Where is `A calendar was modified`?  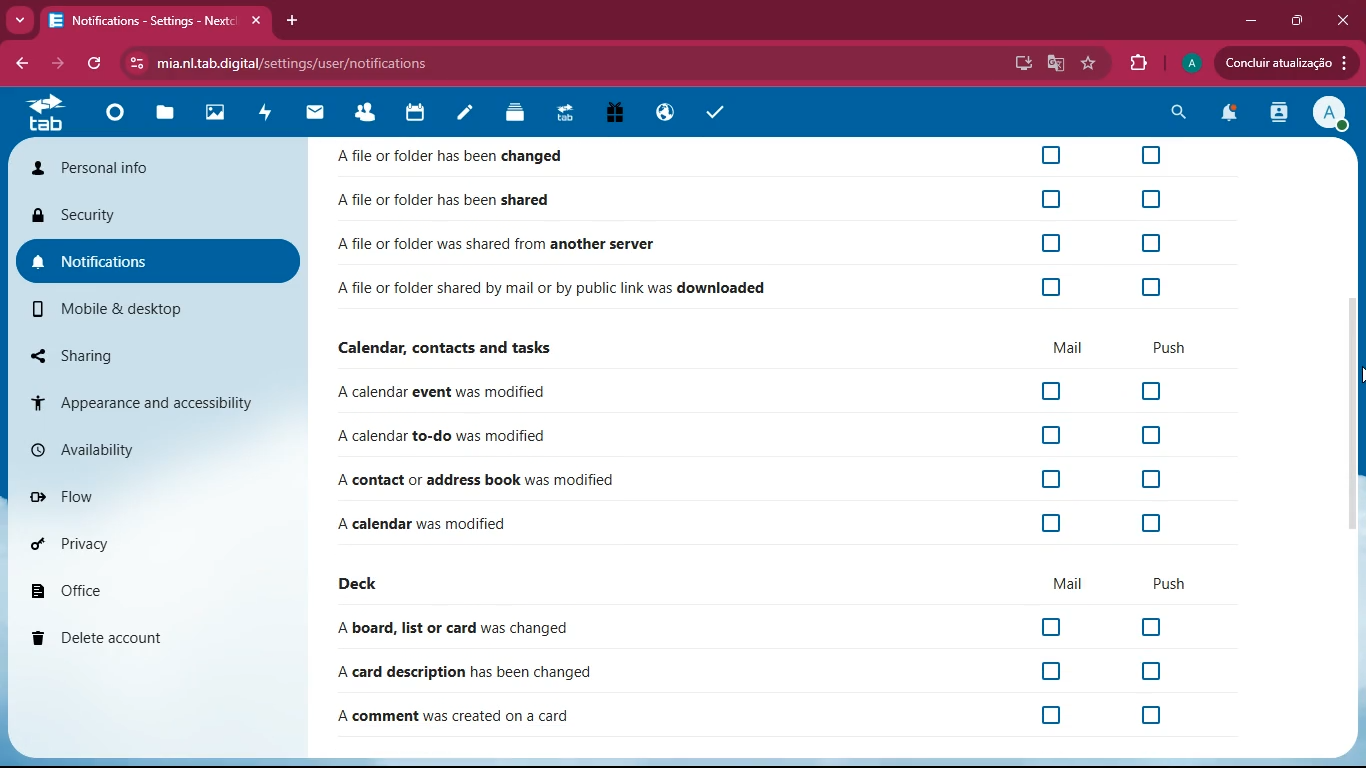 A calendar was modified is located at coordinates (423, 526).